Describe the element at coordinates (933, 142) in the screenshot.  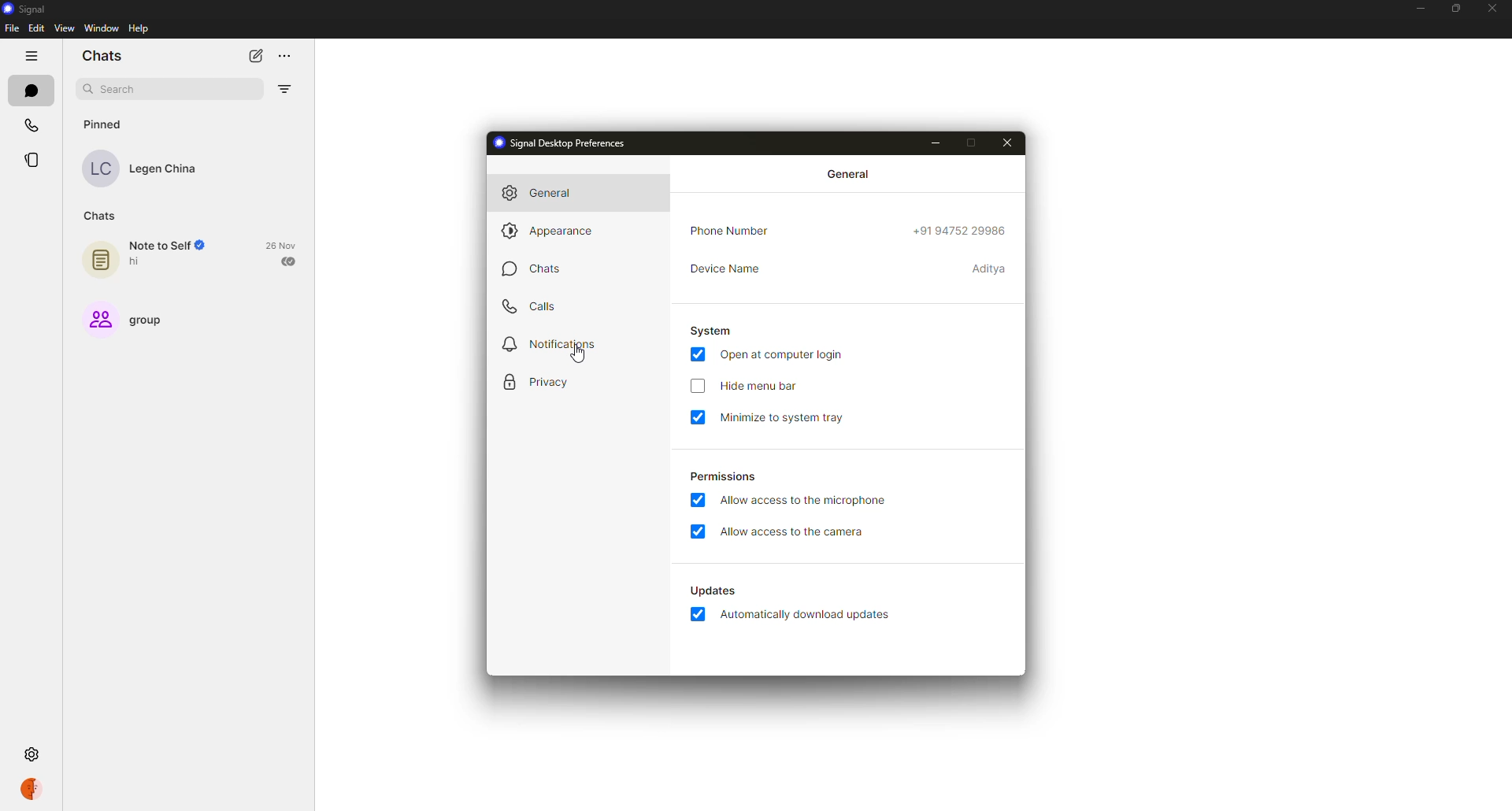
I see `minimize` at that location.